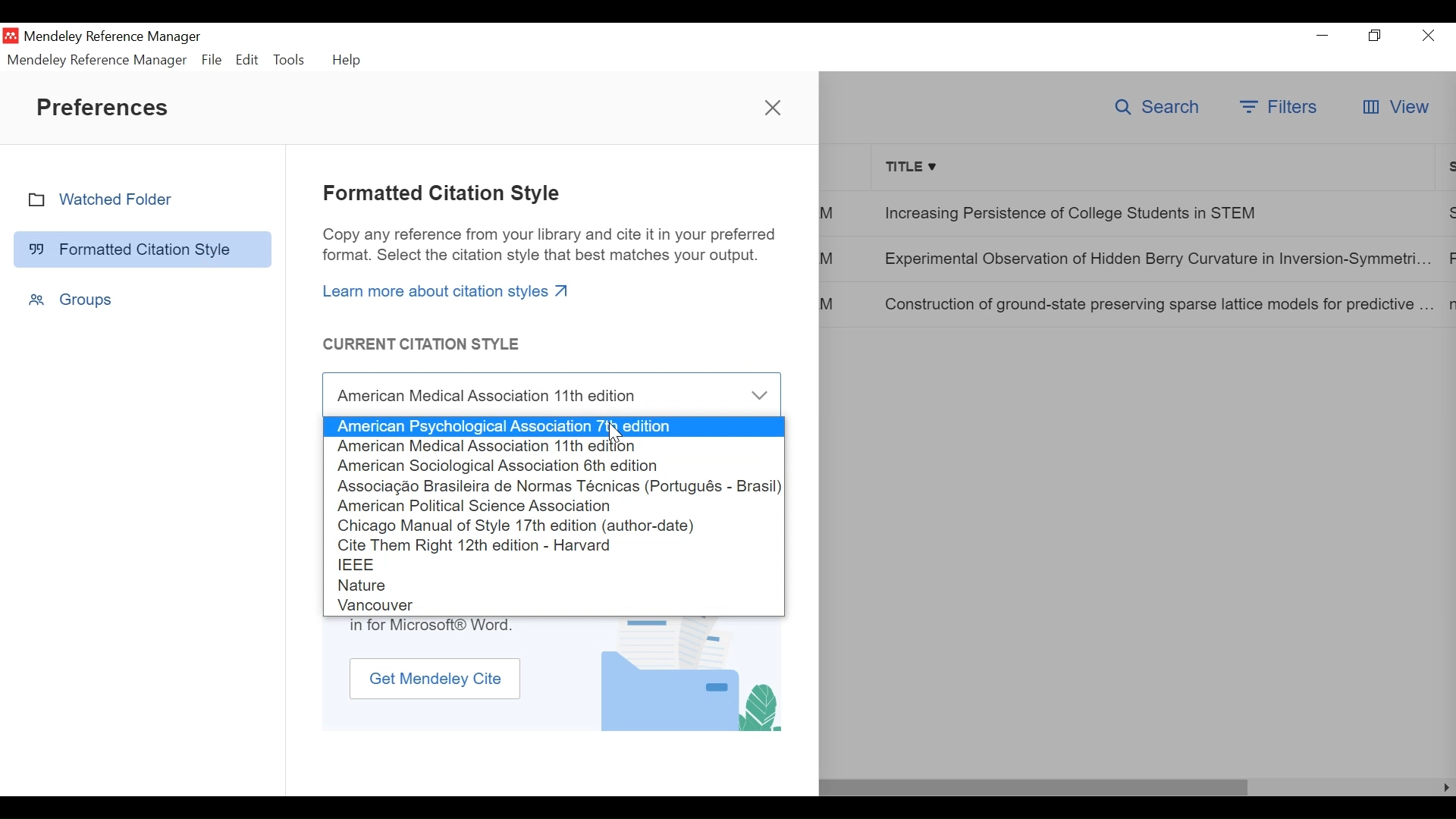 This screenshot has height=819, width=1456. Describe the element at coordinates (554, 584) in the screenshot. I see `Nature` at that location.